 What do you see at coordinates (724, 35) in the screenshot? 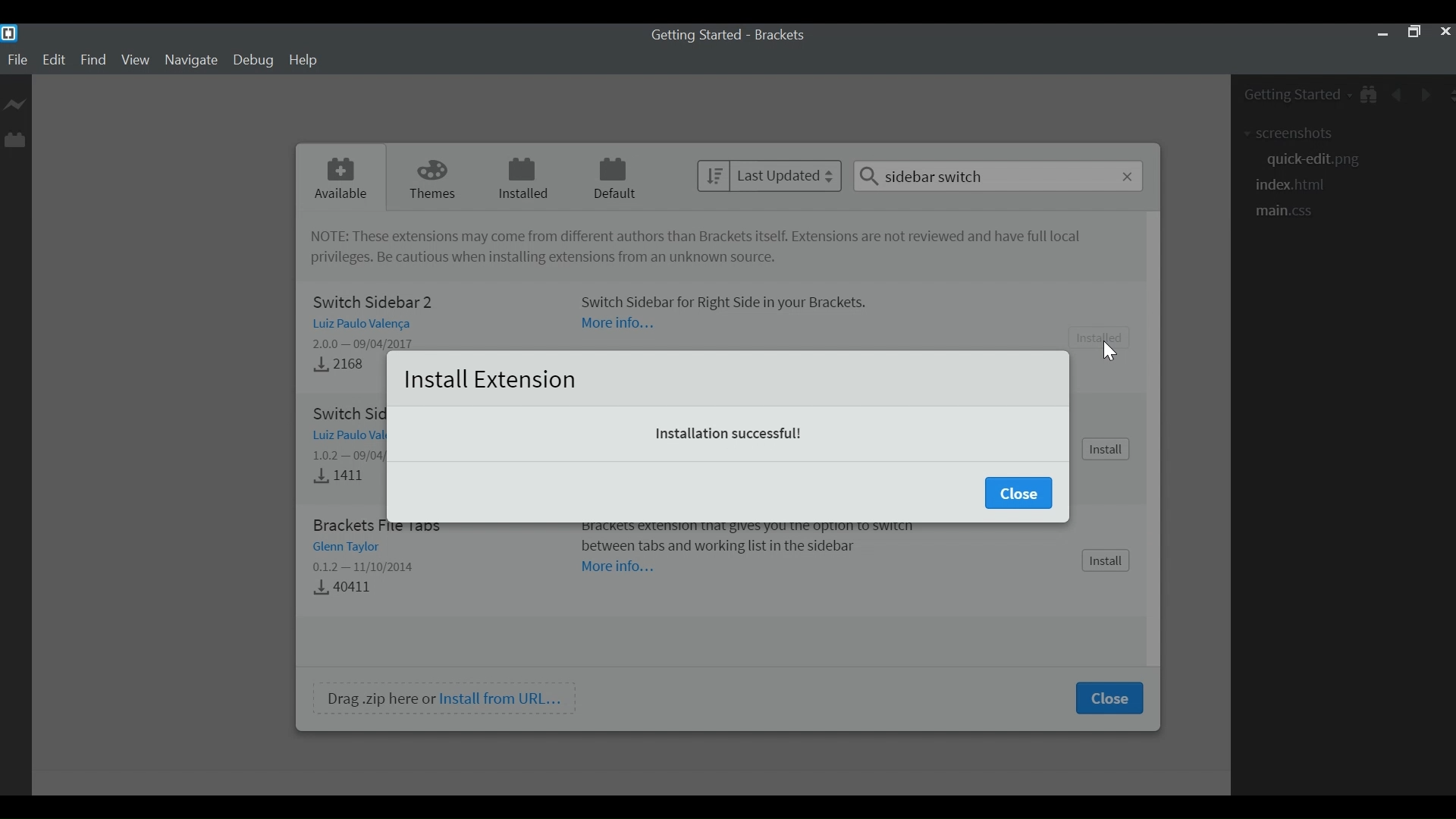
I see `Getting Started - Brackets` at bounding box center [724, 35].